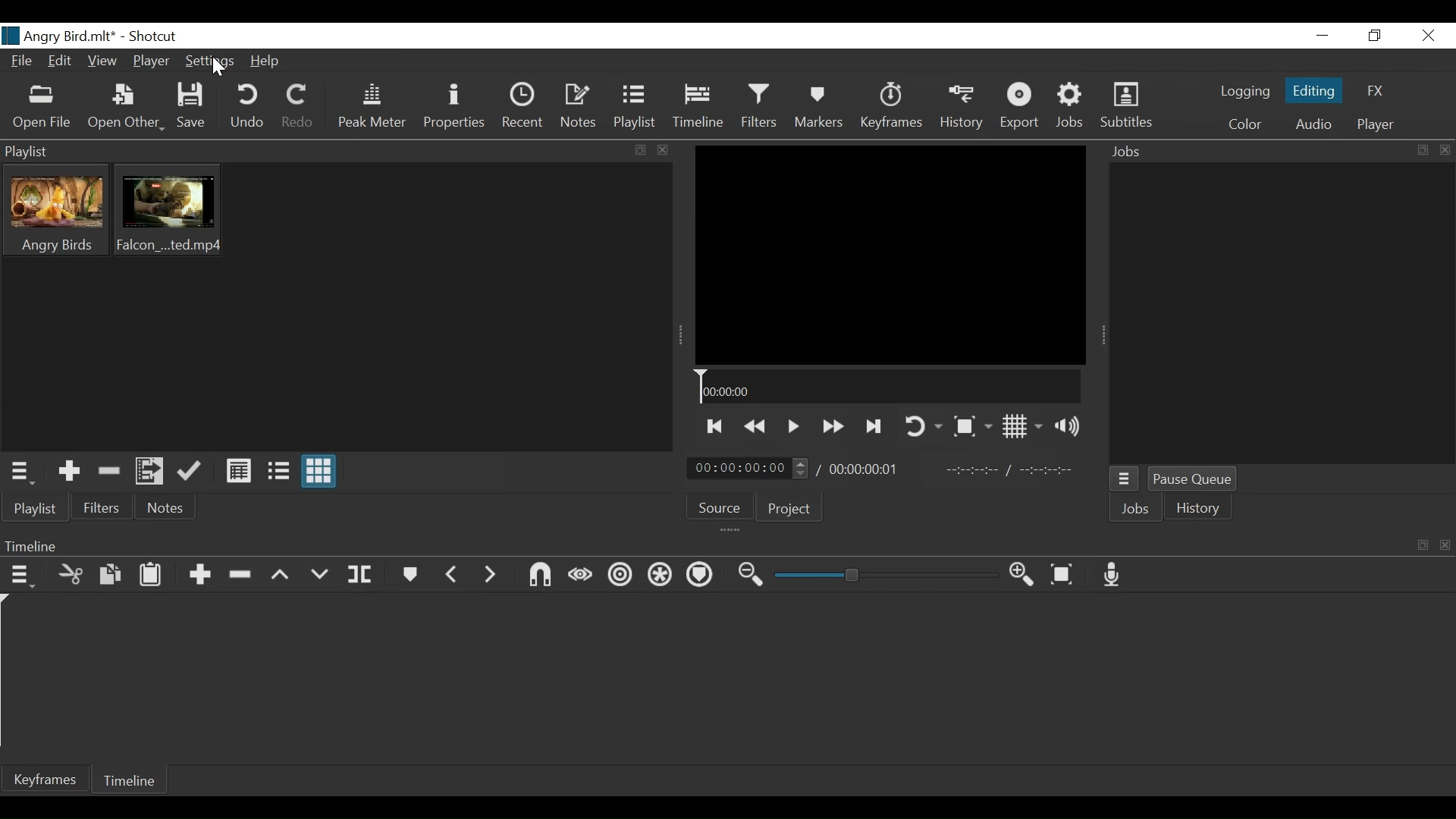 This screenshot has width=1456, height=819. What do you see at coordinates (1246, 124) in the screenshot?
I see `Color` at bounding box center [1246, 124].